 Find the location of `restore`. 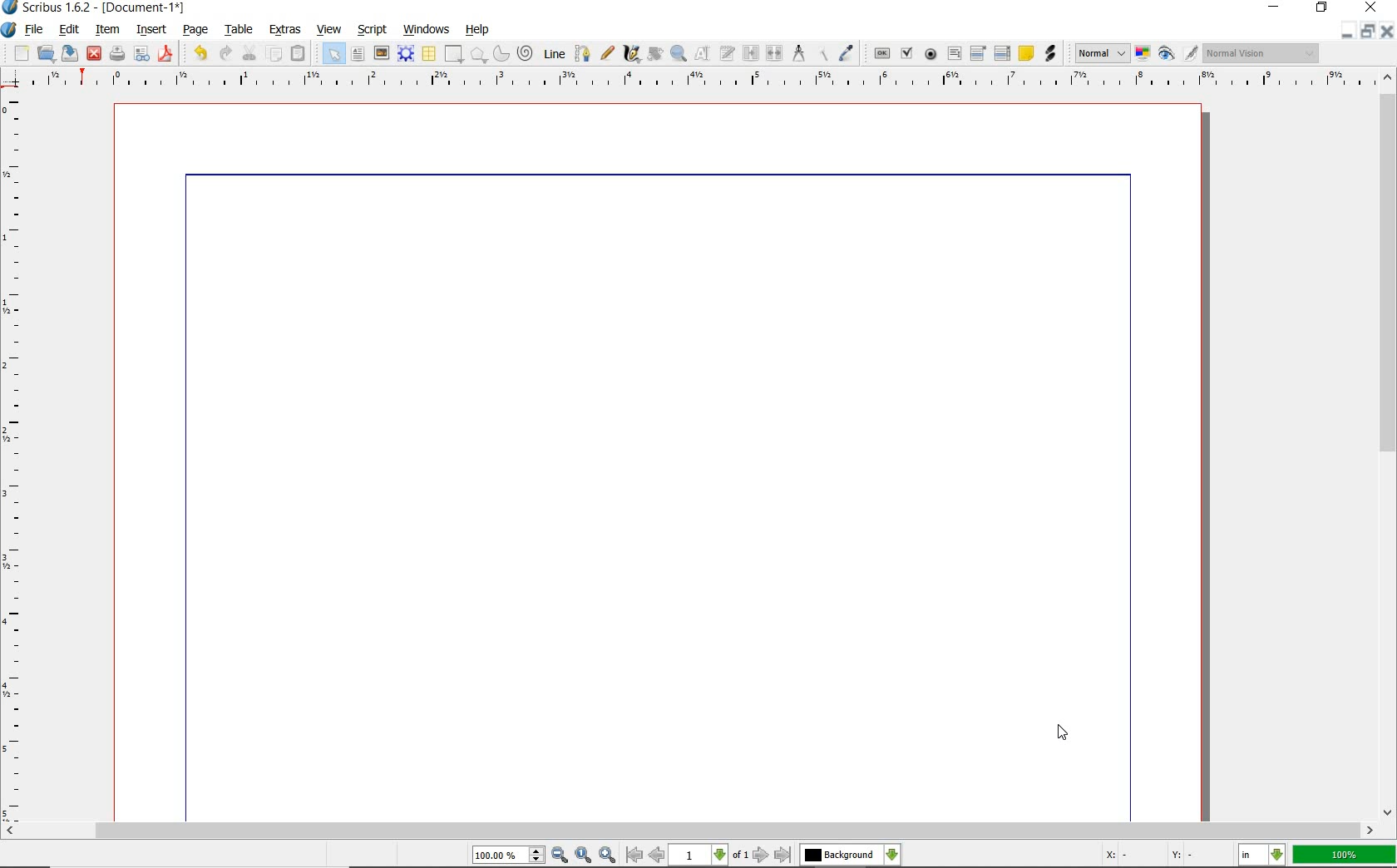

restore is located at coordinates (1362, 31).